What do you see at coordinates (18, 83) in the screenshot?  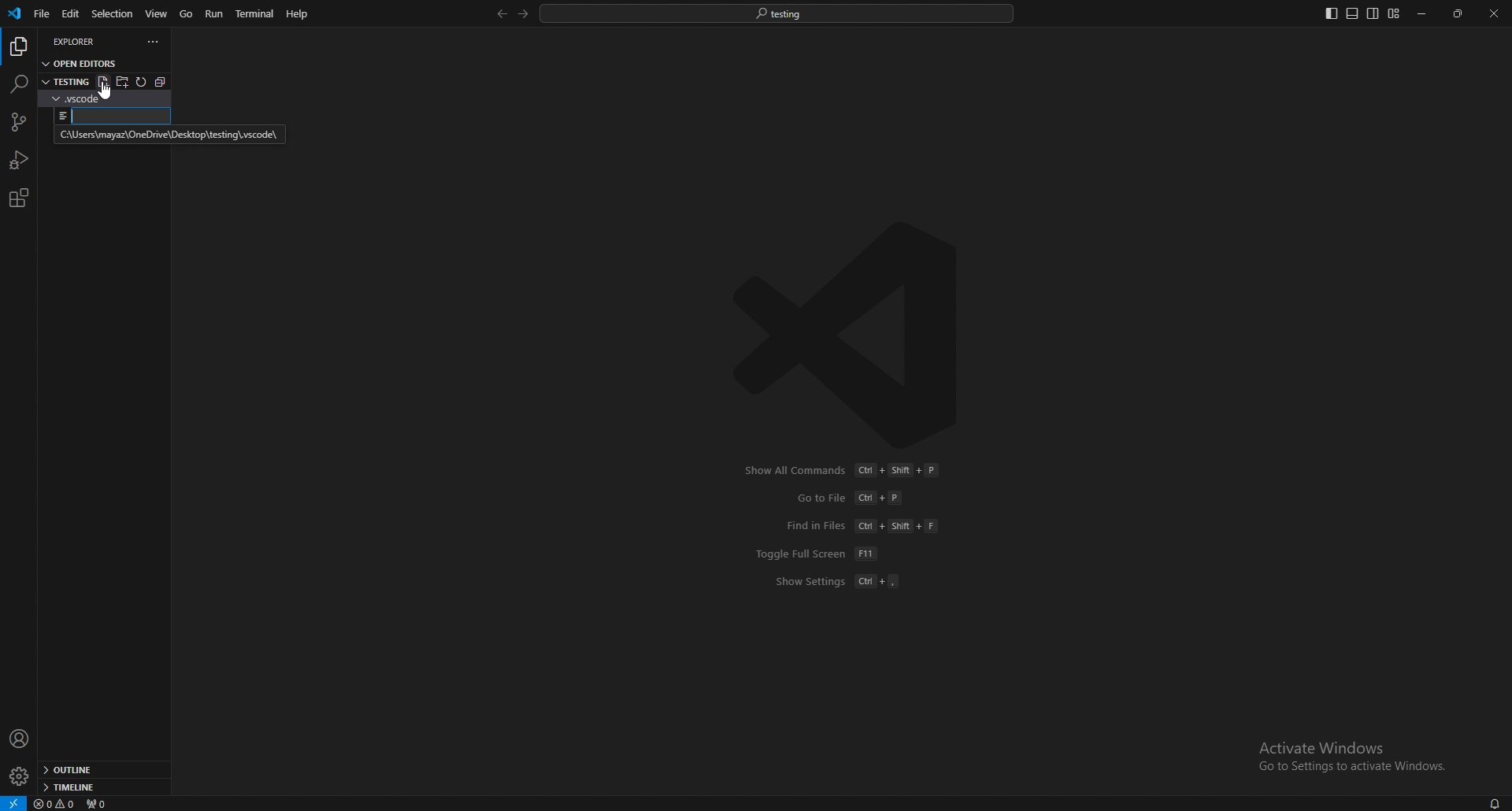 I see `search` at bounding box center [18, 83].